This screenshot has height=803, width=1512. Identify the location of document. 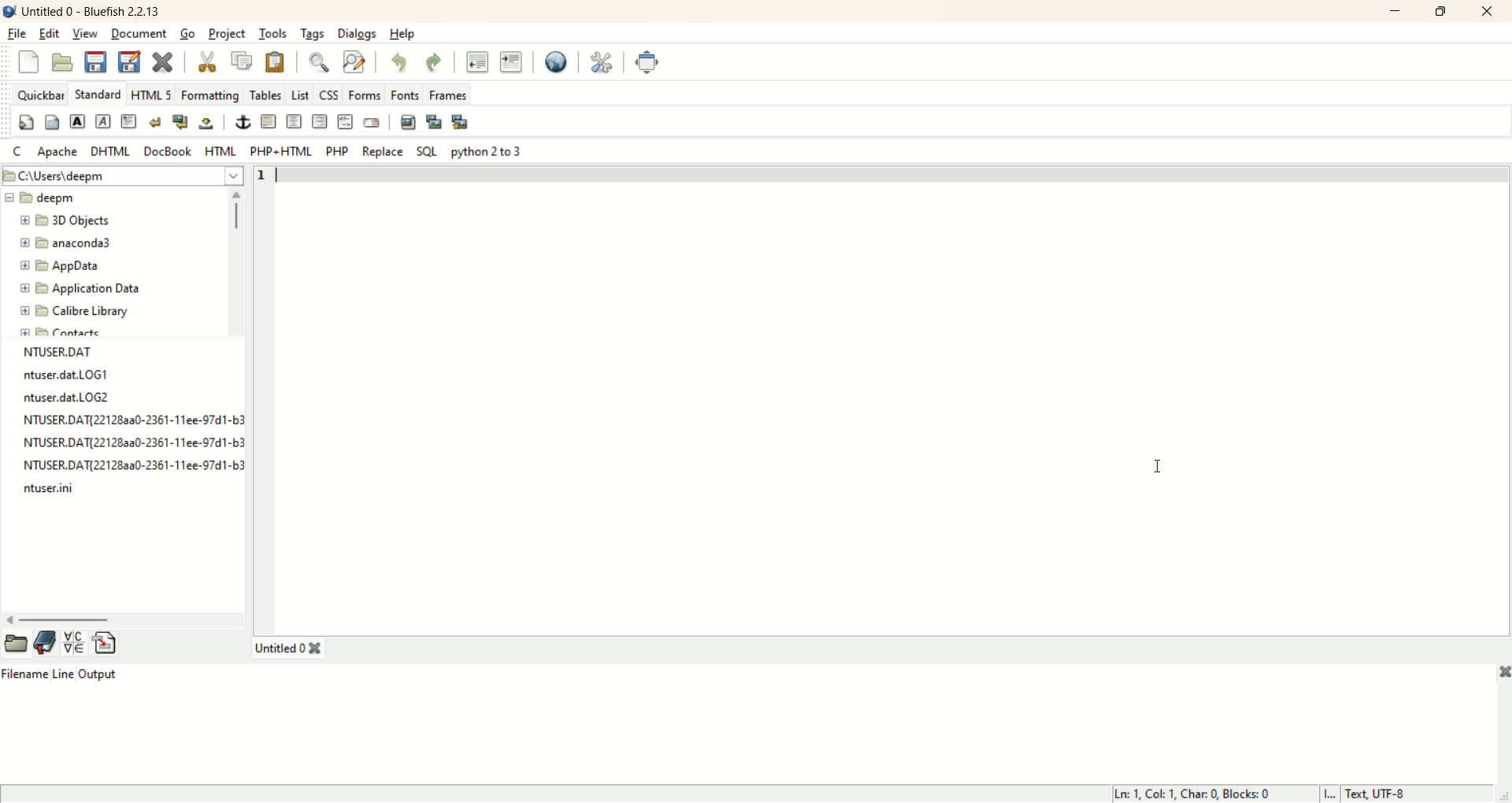
(140, 34).